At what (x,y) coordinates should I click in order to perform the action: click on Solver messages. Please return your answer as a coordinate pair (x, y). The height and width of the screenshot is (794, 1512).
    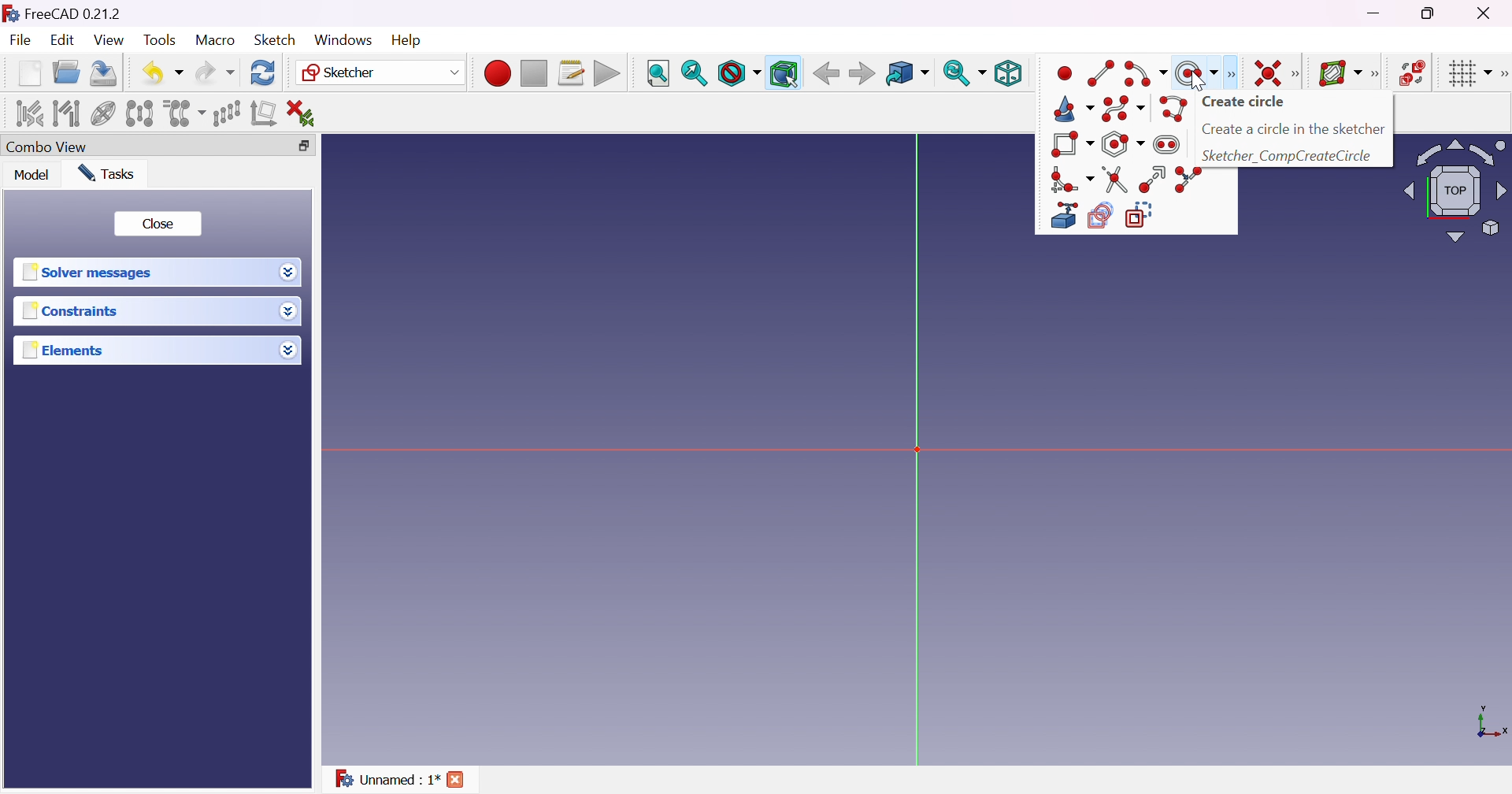
    Looking at the image, I should click on (90, 270).